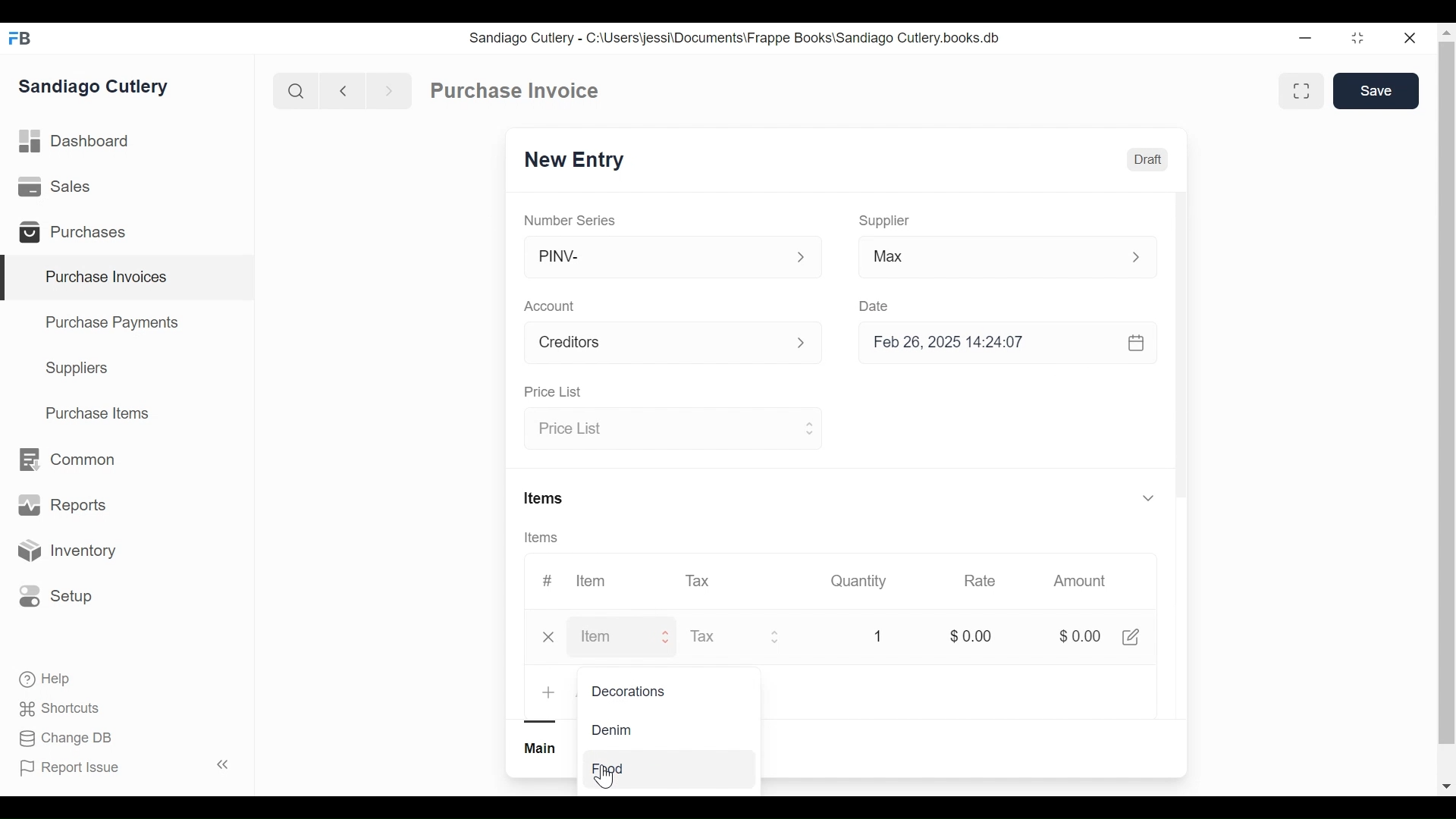 The height and width of the screenshot is (819, 1456). I want to click on Purchase Items, so click(98, 415).